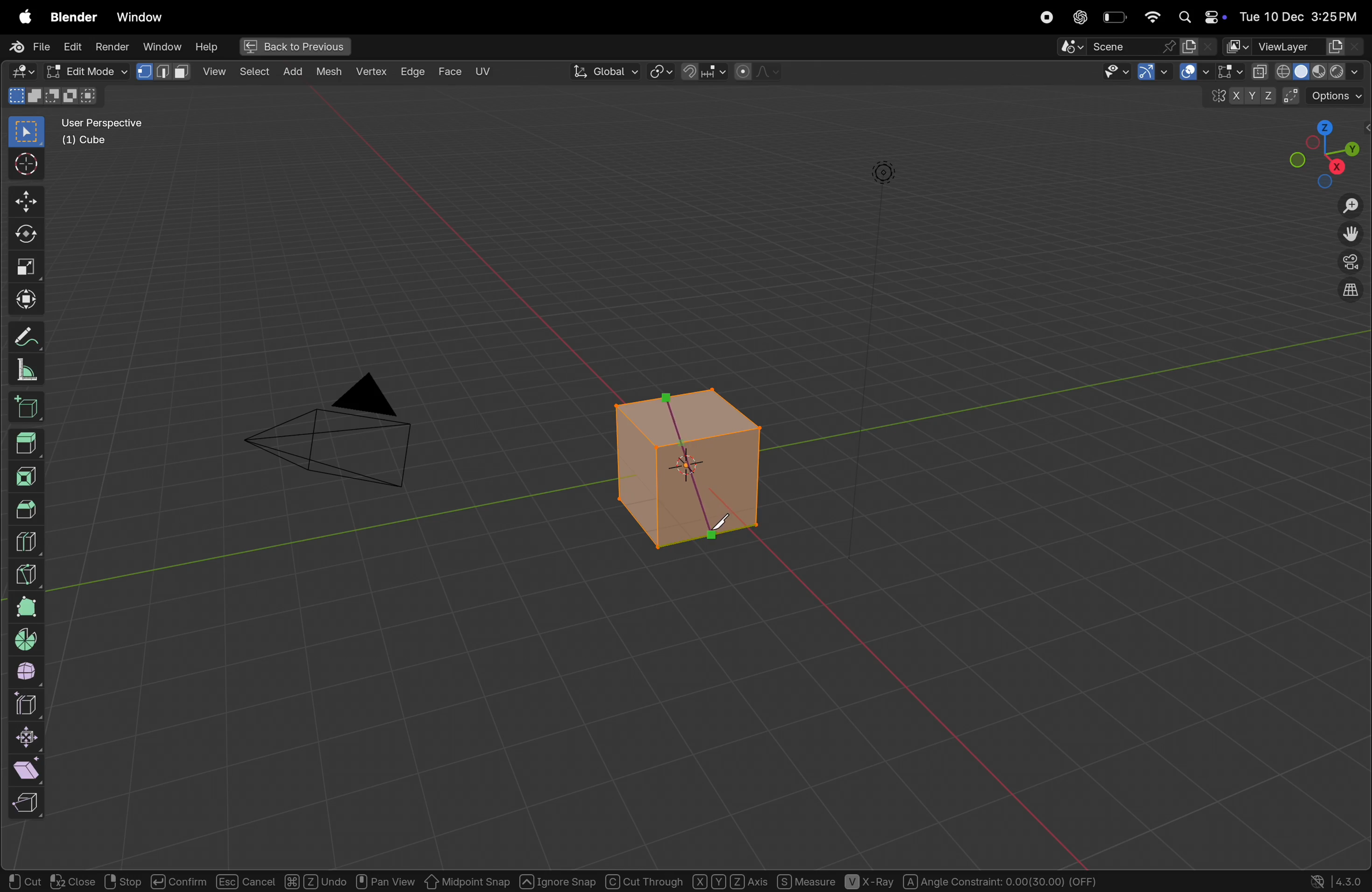 The height and width of the screenshot is (892, 1372). Describe the element at coordinates (29, 410) in the screenshot. I see `3d cube` at that location.